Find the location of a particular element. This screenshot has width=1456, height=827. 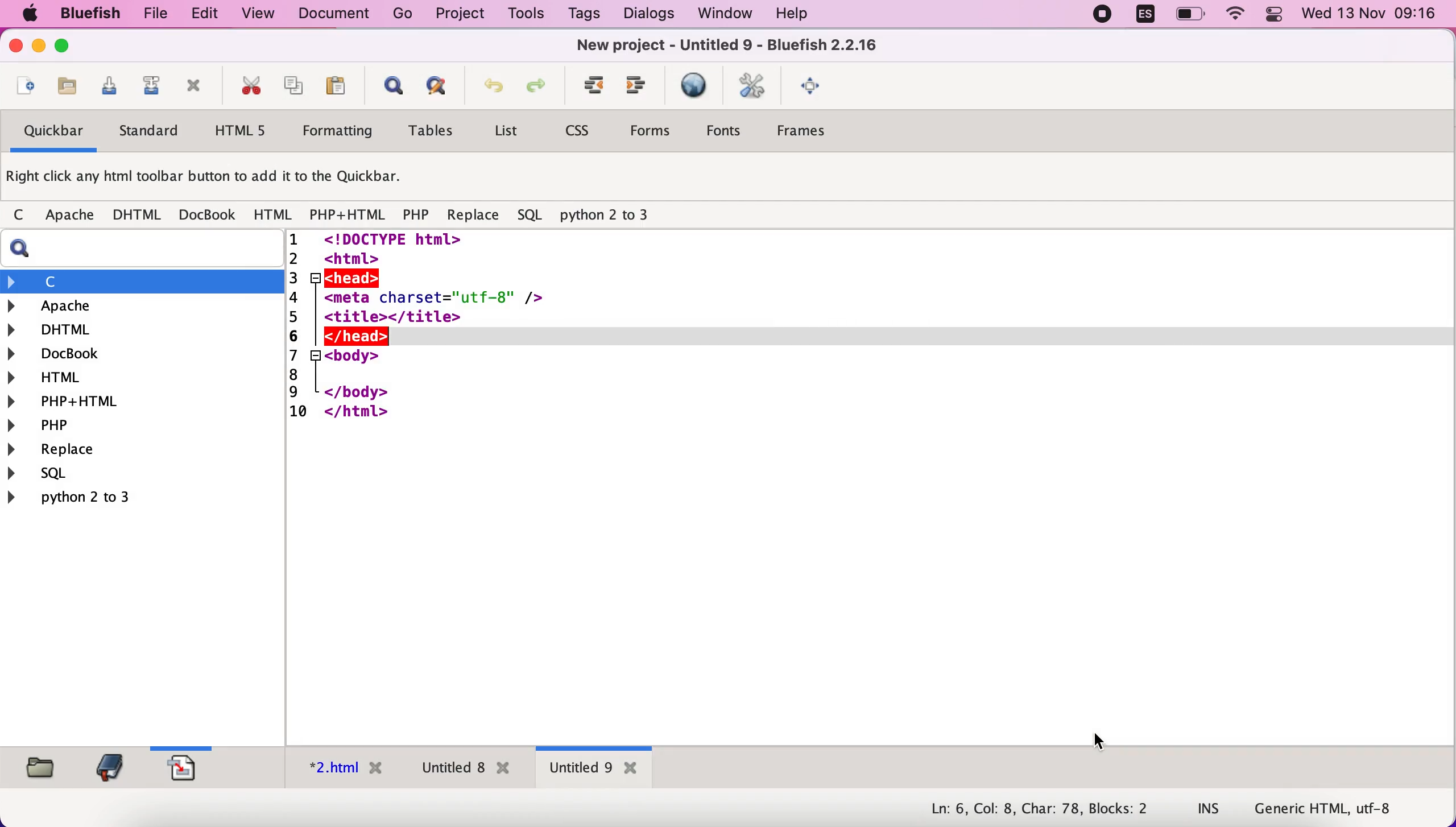

tags is located at coordinates (584, 16).